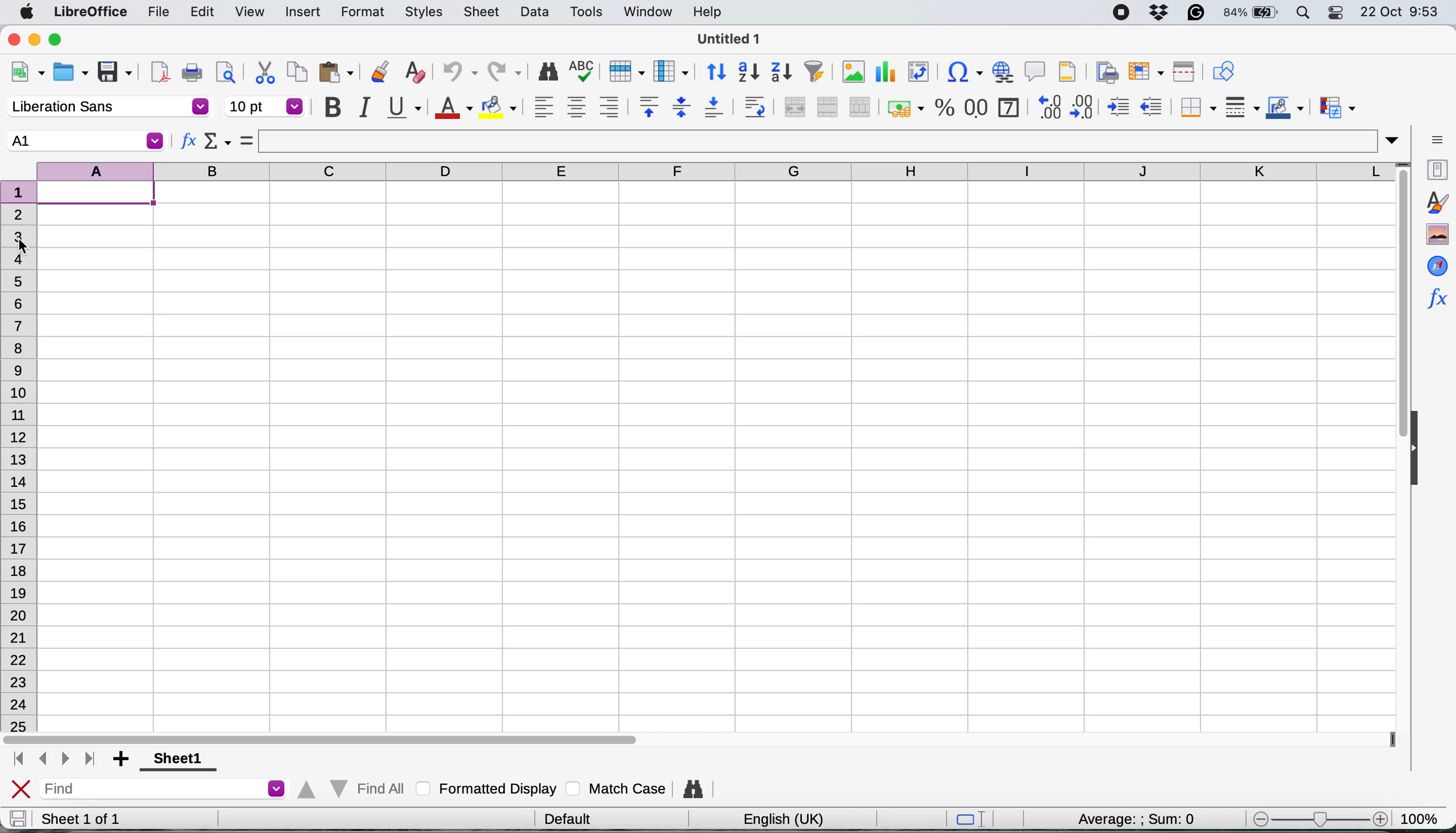  I want to click on column, so click(671, 70).